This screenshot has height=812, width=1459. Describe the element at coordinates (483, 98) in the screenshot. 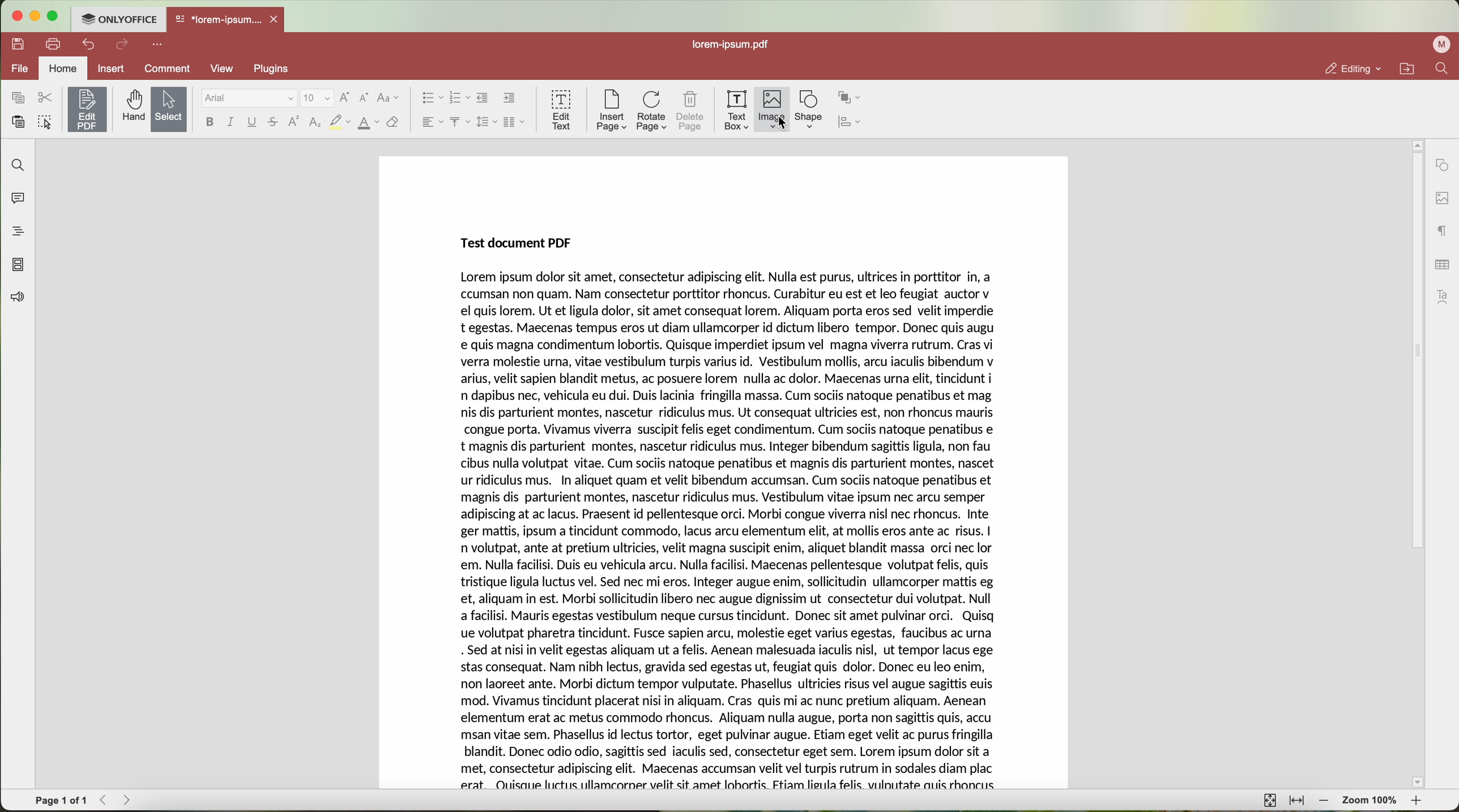

I see `decrease indent` at that location.